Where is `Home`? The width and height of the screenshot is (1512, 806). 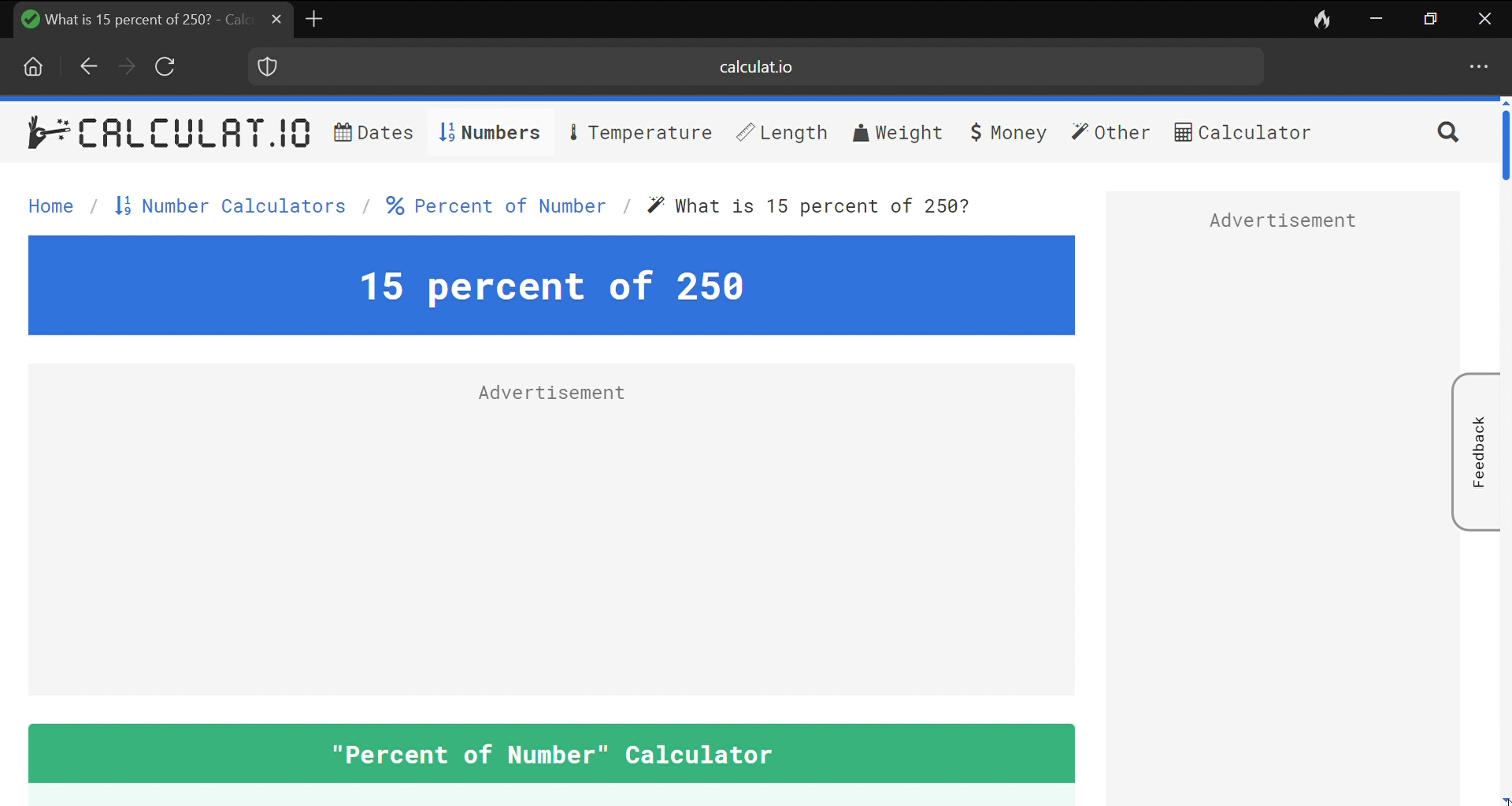 Home is located at coordinates (35, 67).